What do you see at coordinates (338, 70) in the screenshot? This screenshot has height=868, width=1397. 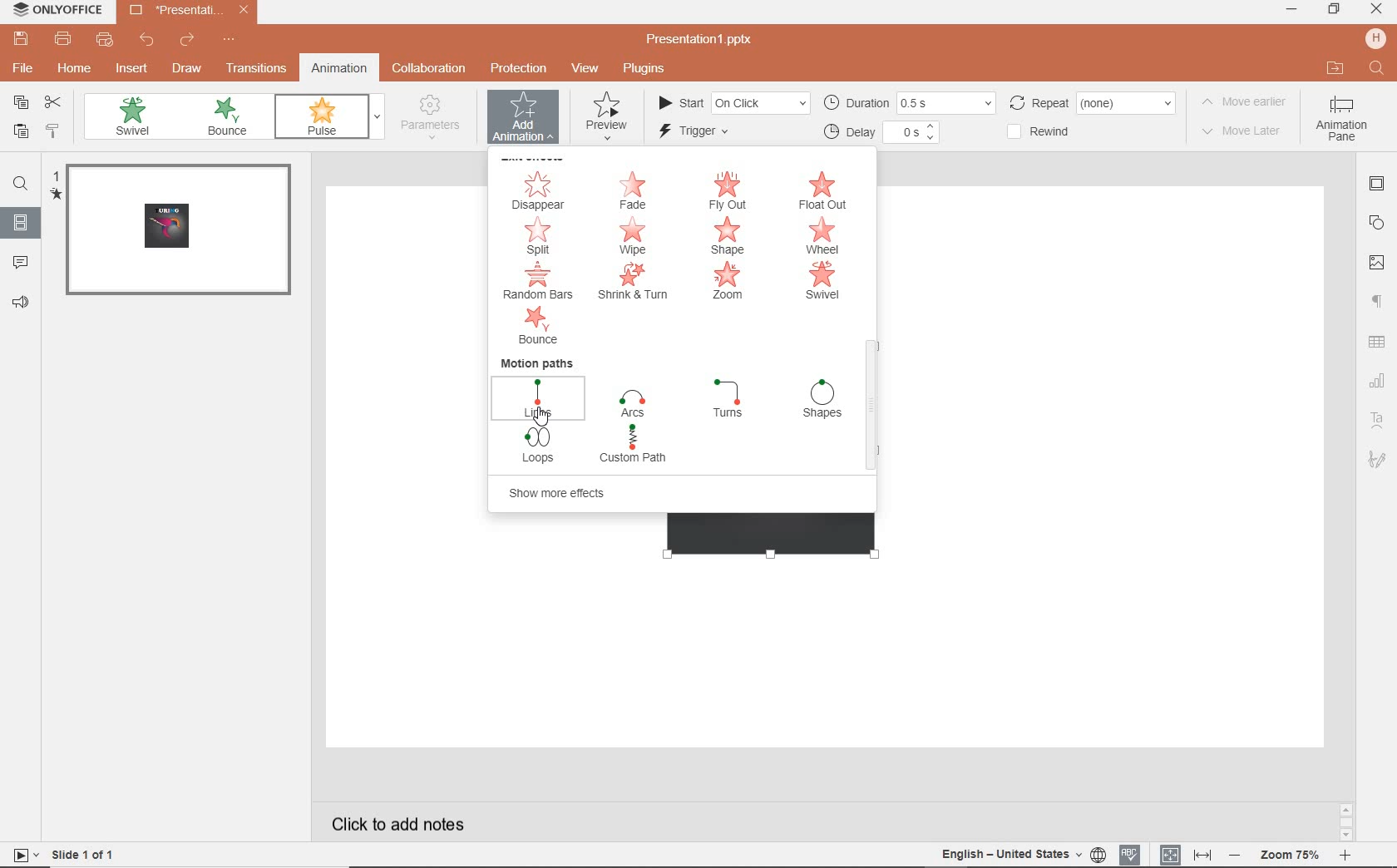 I see `animation` at bounding box center [338, 70].